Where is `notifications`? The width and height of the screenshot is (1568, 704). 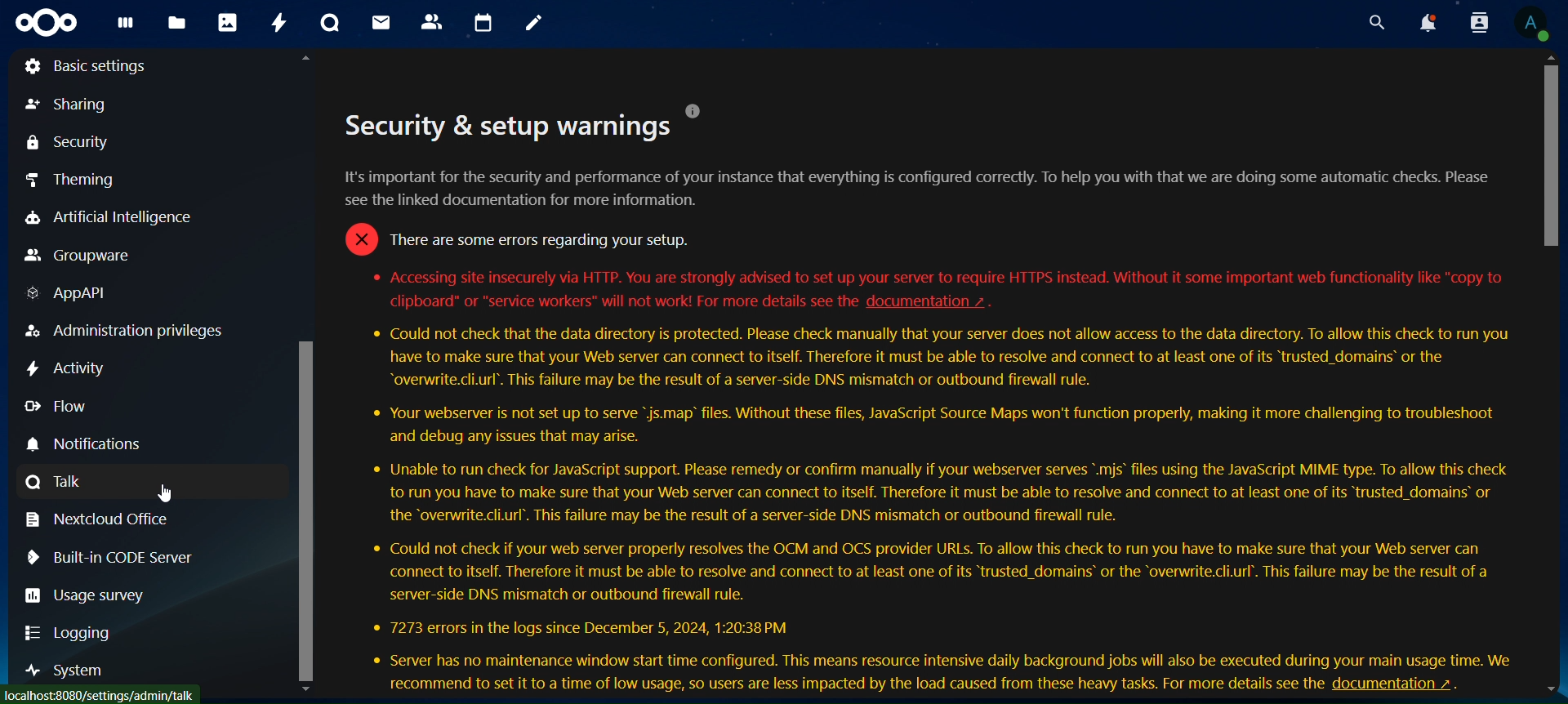
notifications is located at coordinates (1426, 23).